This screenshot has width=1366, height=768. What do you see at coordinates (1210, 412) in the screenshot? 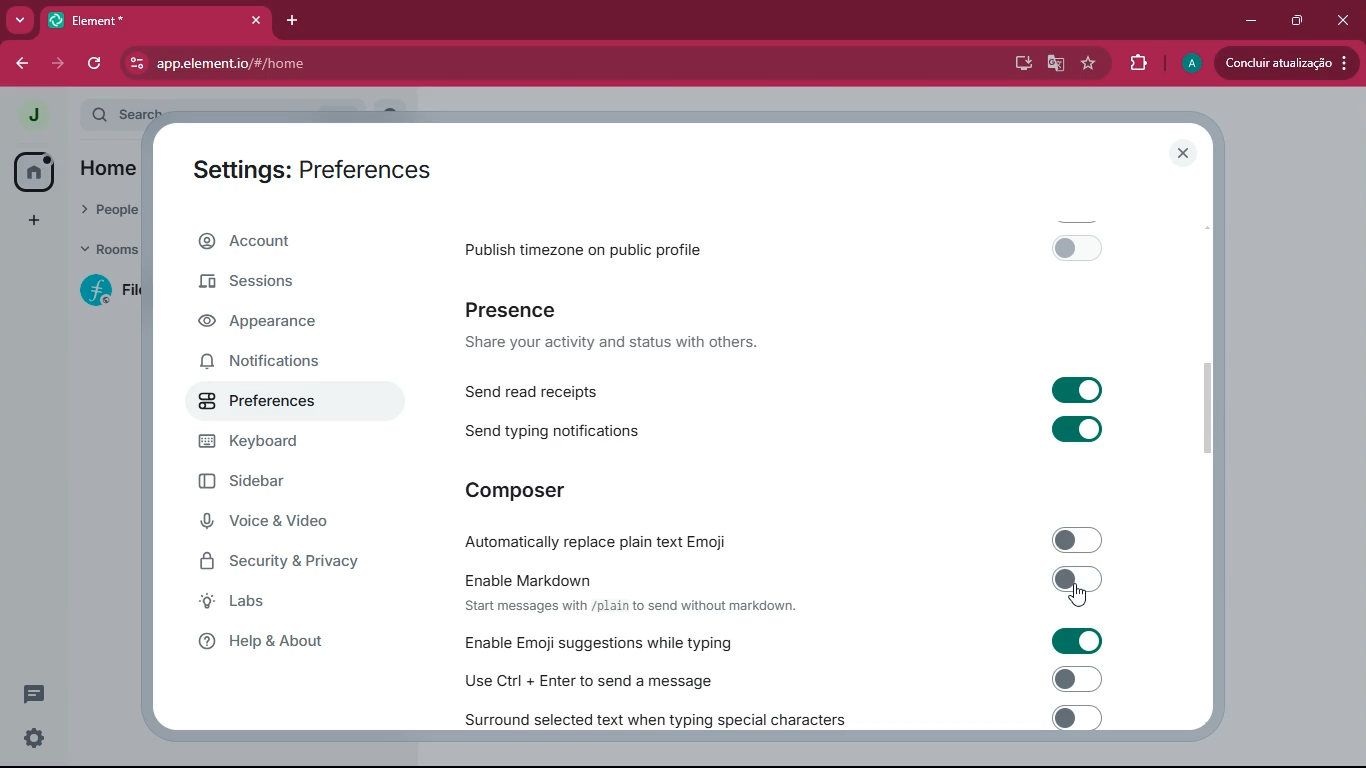
I see `scroll bar` at bounding box center [1210, 412].